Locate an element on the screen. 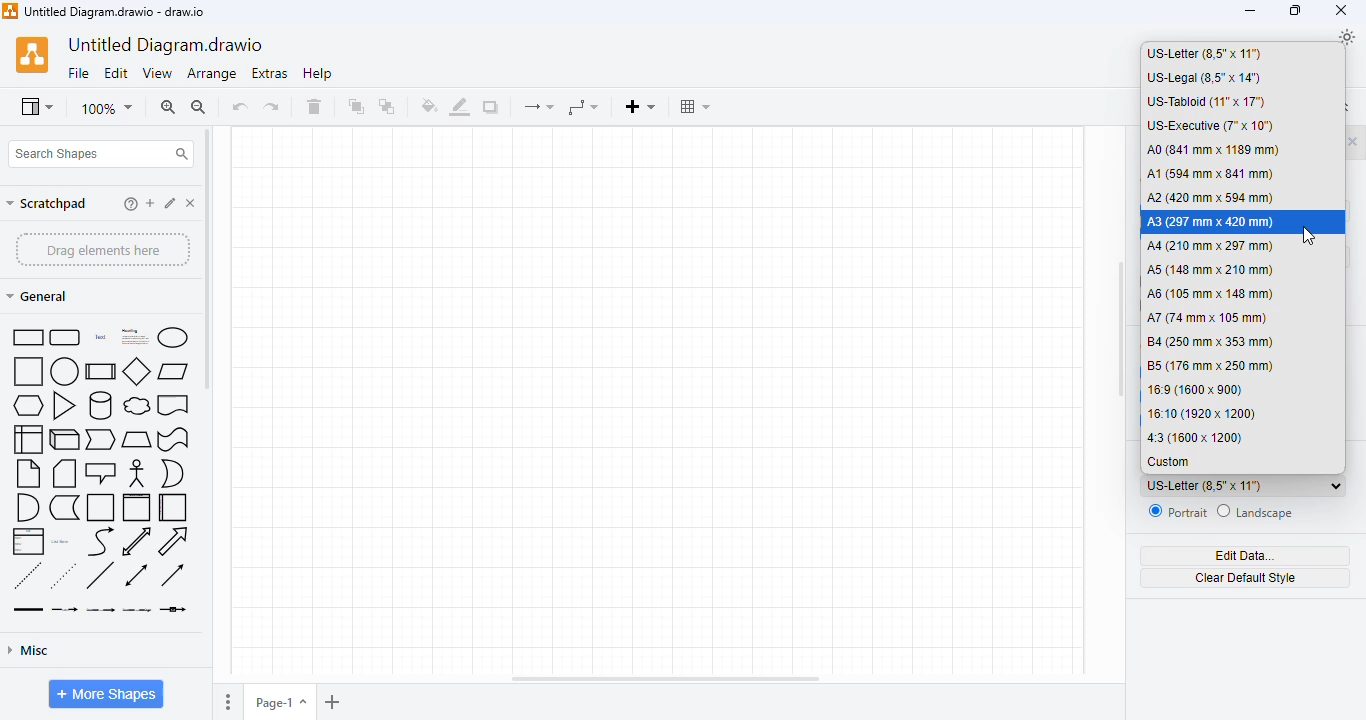 This screenshot has height=720, width=1366. US-legal is located at coordinates (1205, 78).